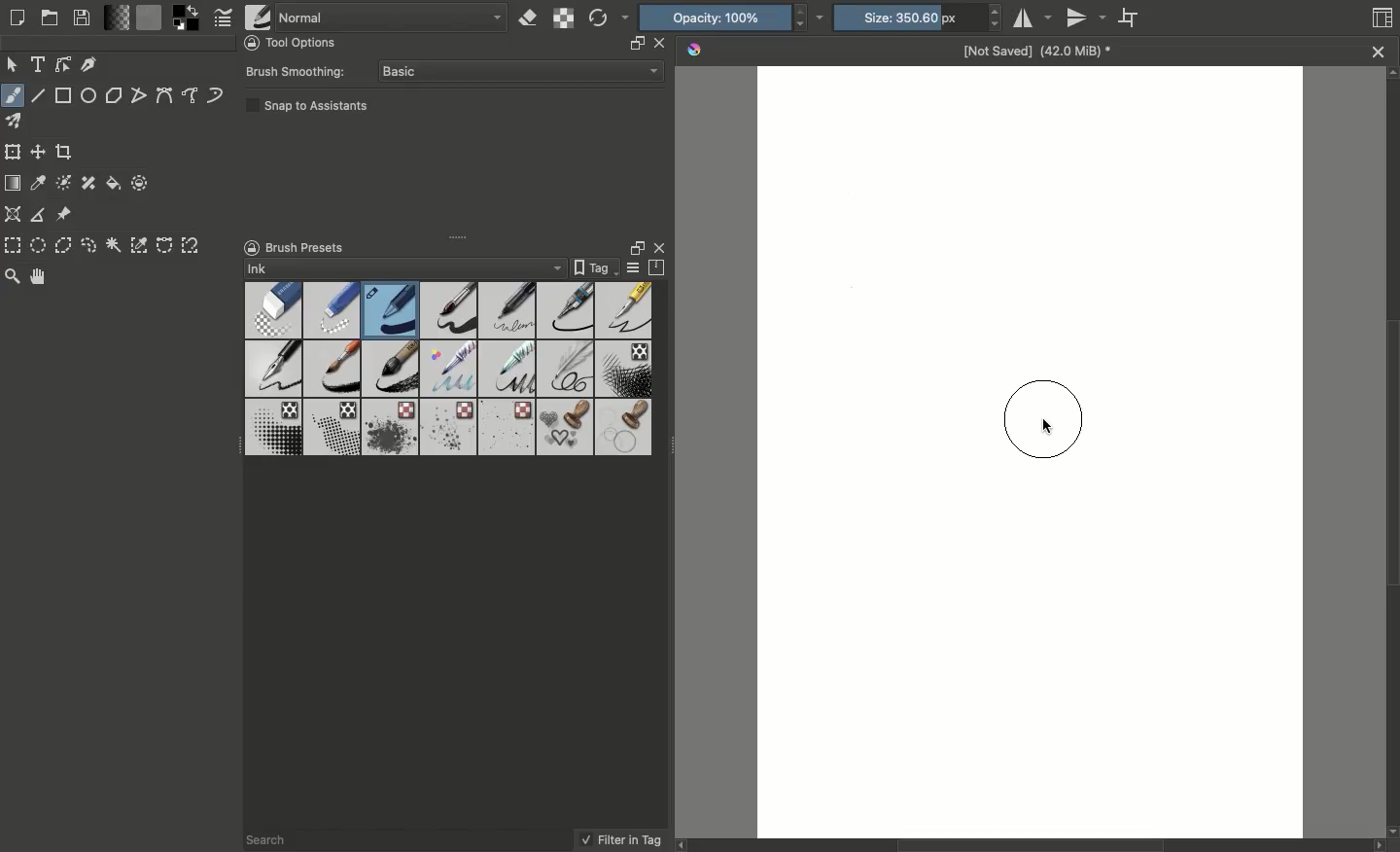 This screenshot has width=1400, height=852. Describe the element at coordinates (45, 277) in the screenshot. I see `Pan` at that location.